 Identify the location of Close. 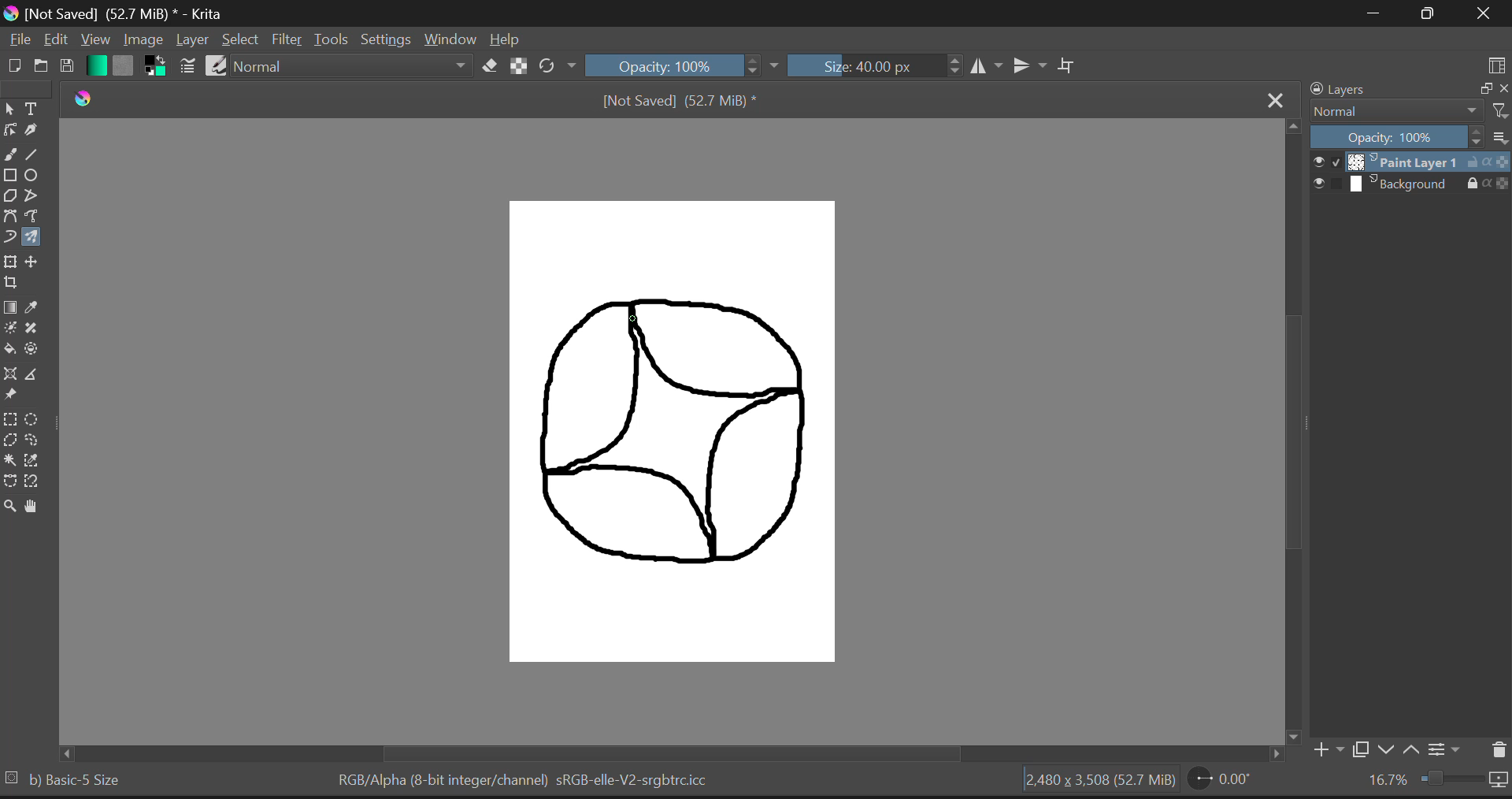
(1484, 15).